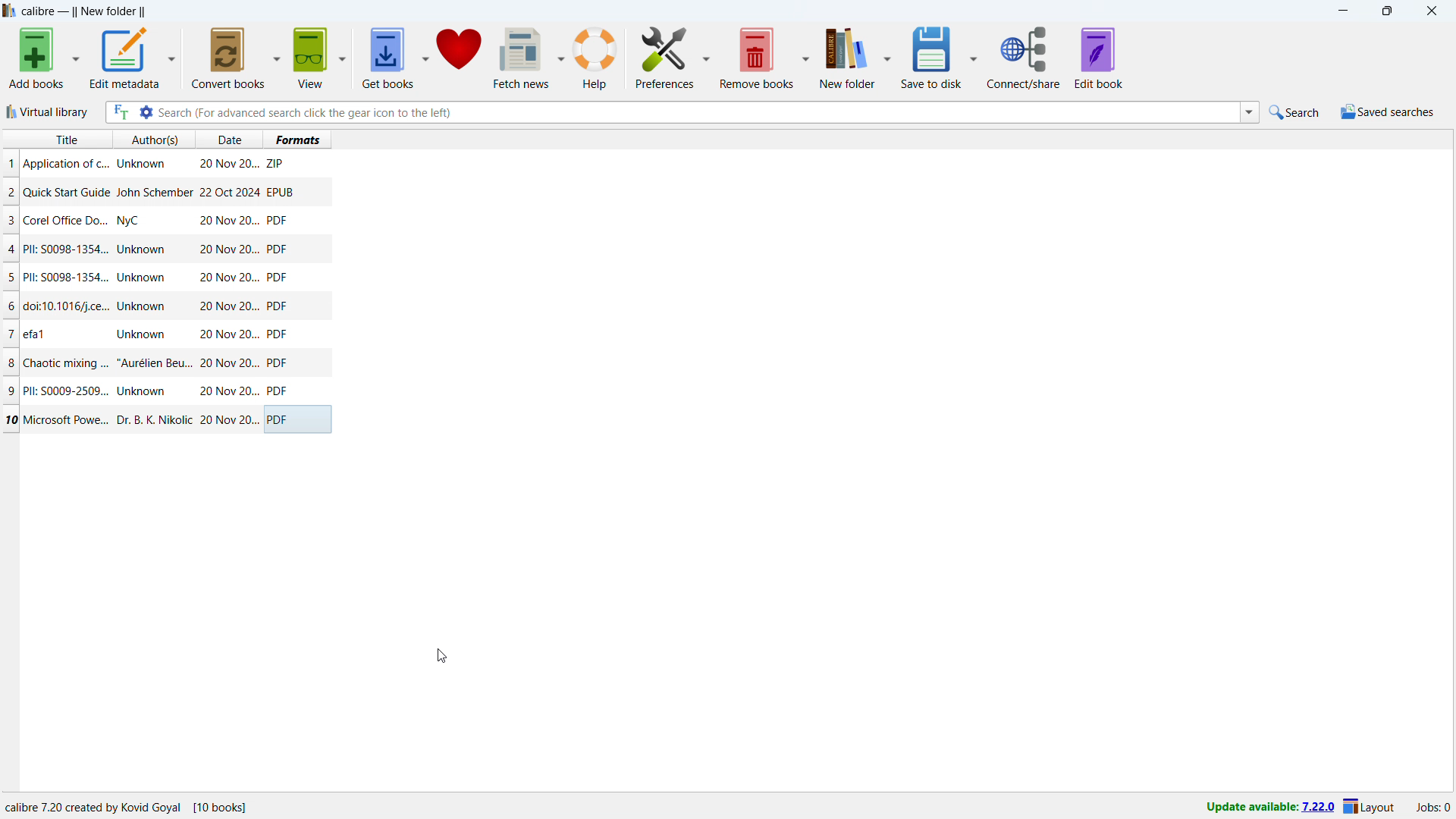 Image resolution: width=1456 pixels, height=819 pixels. I want to click on cursor, so click(441, 656).